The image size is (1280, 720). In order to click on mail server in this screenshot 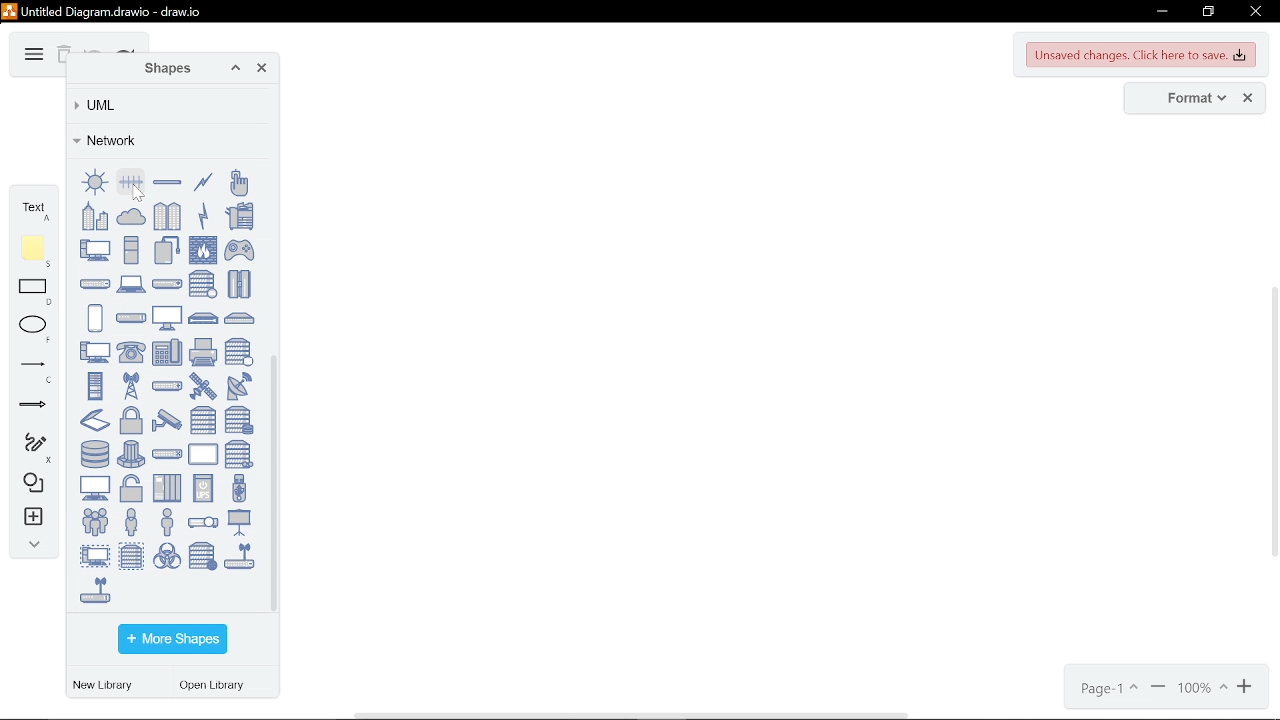, I will do `click(203, 284)`.